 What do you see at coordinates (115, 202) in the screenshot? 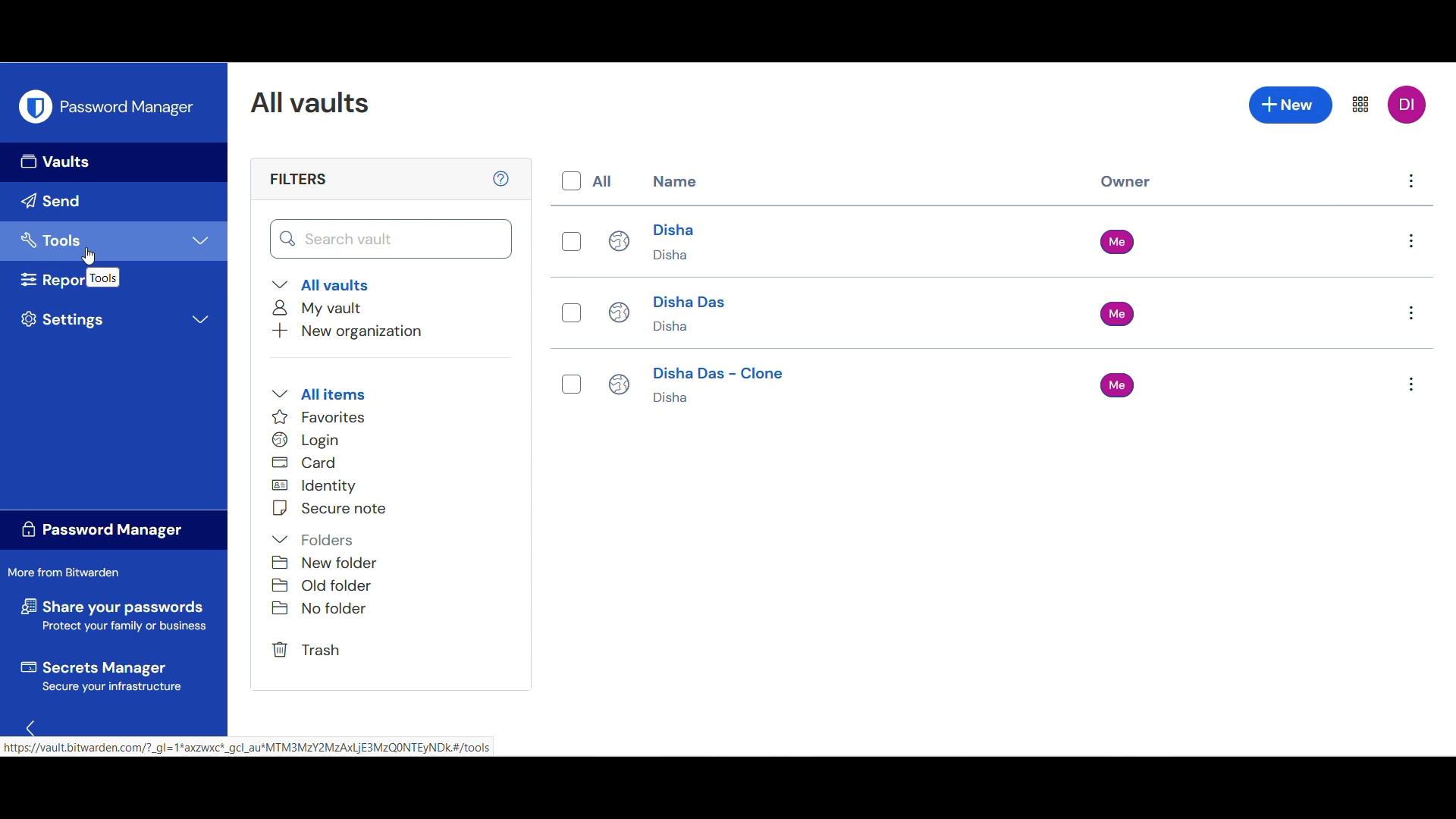
I see `Send` at bounding box center [115, 202].